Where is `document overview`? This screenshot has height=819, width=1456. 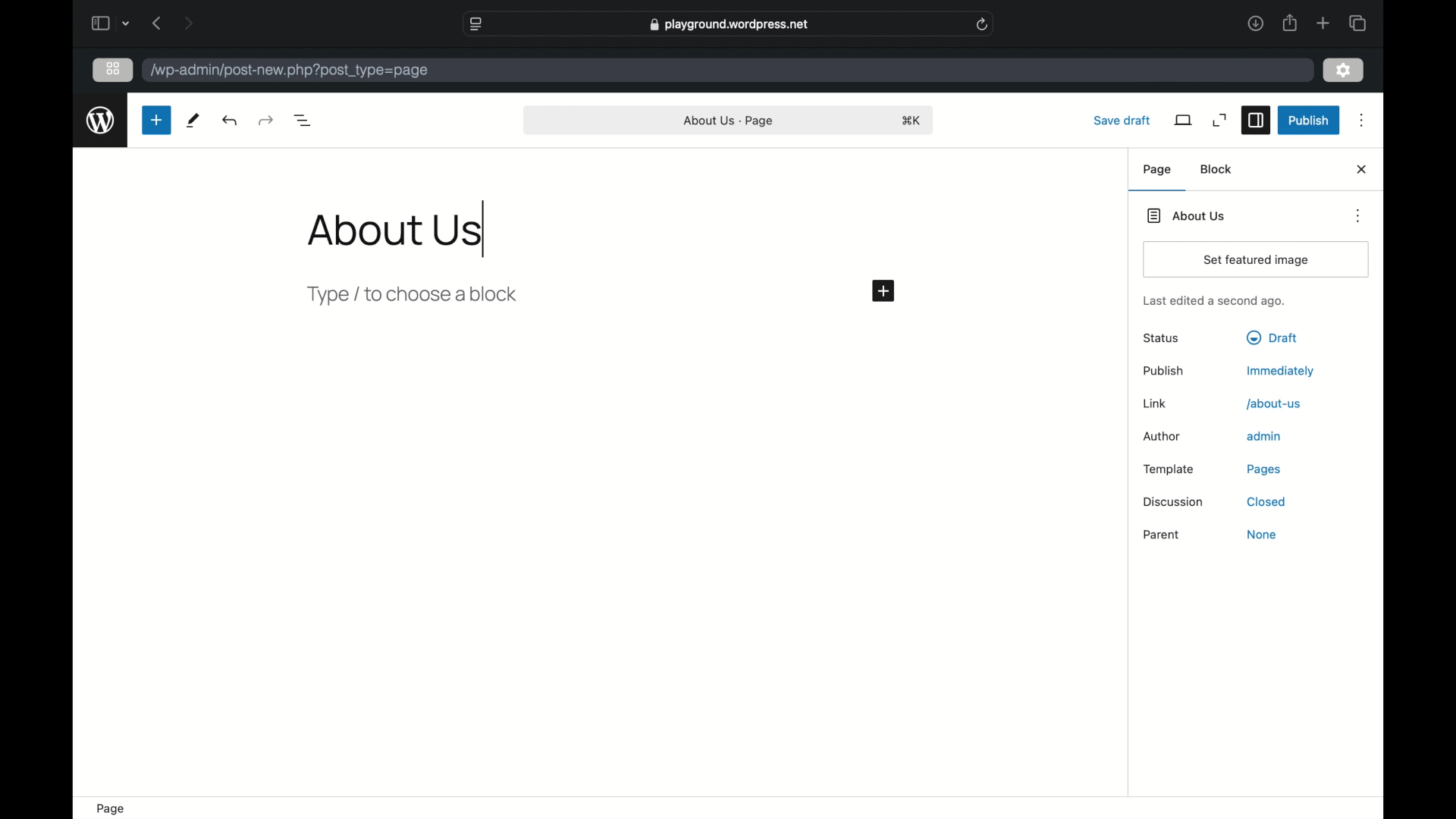 document overview is located at coordinates (305, 121).